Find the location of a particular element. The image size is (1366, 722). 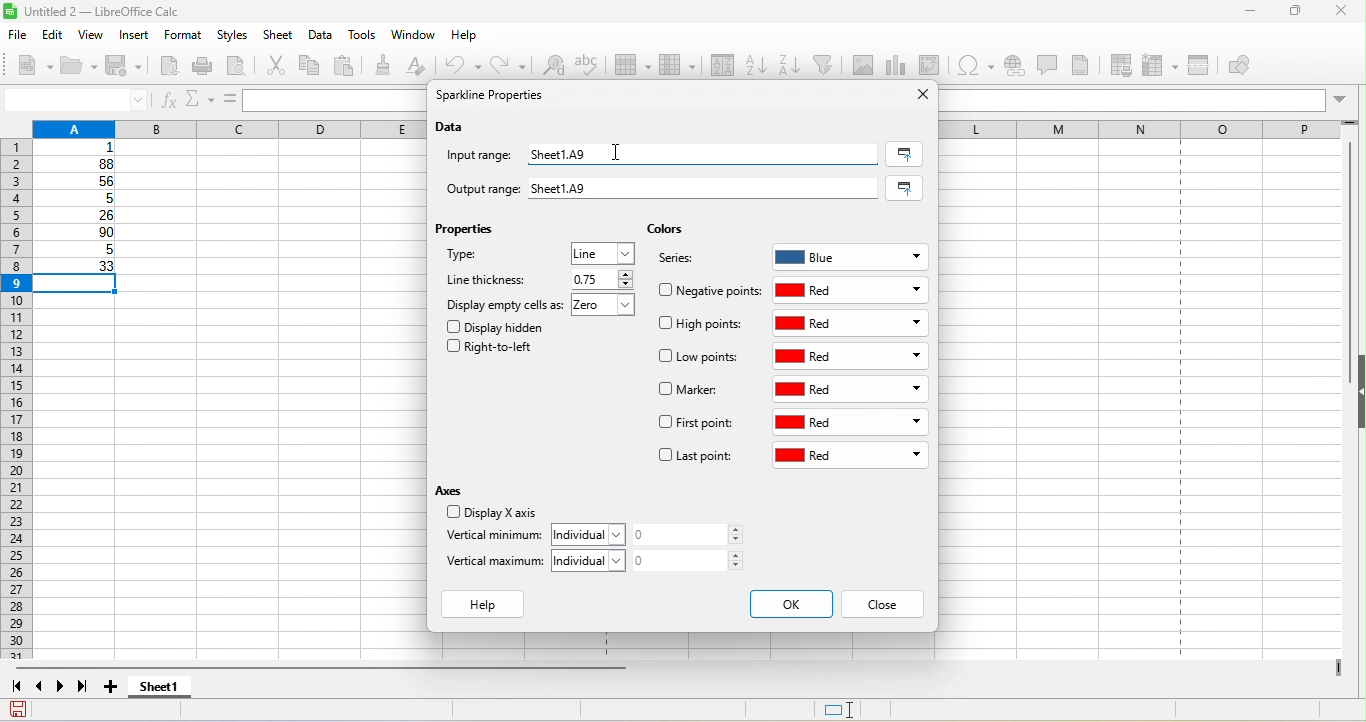

56 is located at coordinates (82, 182).